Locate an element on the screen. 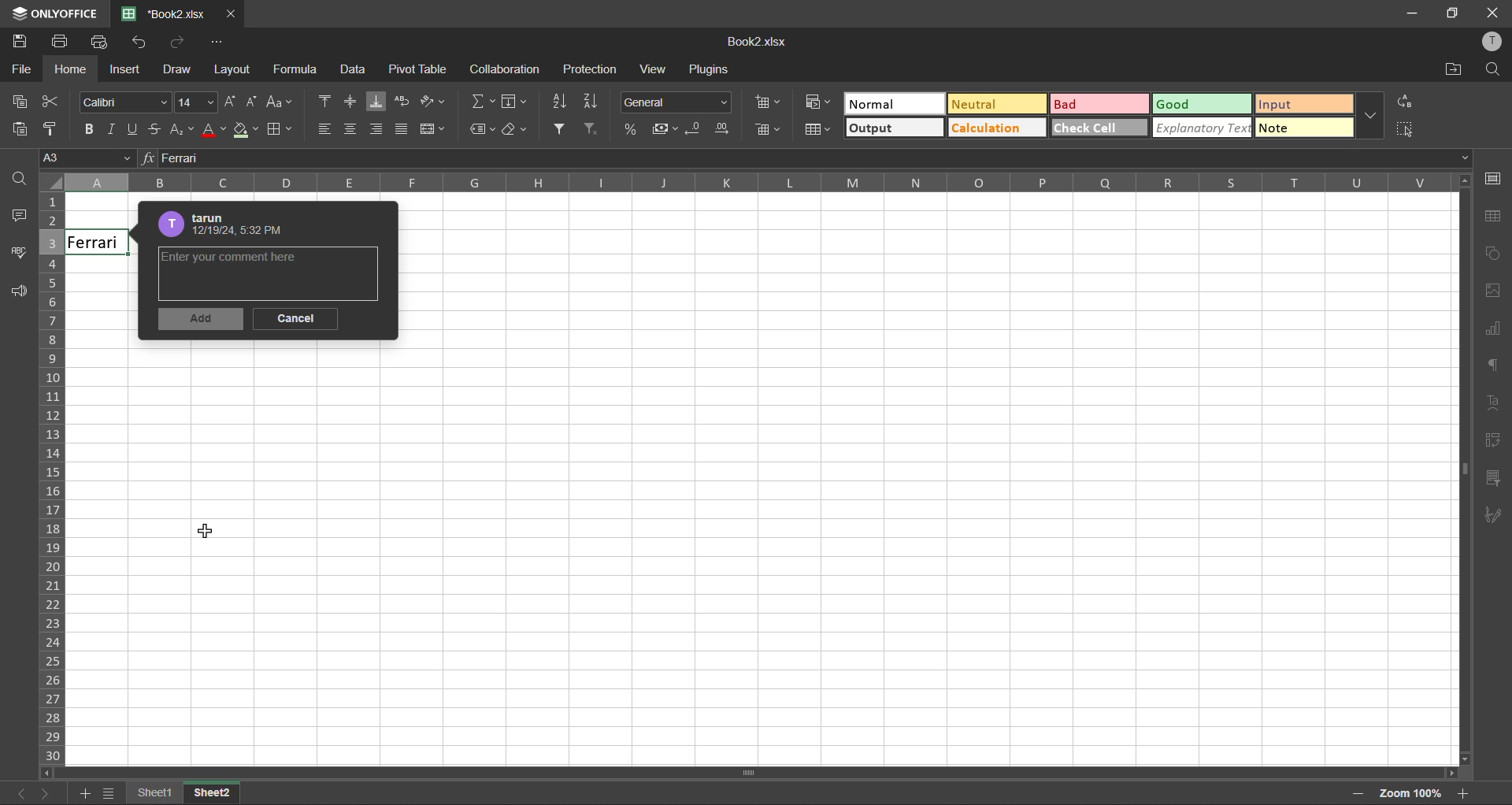  output is located at coordinates (884, 128).